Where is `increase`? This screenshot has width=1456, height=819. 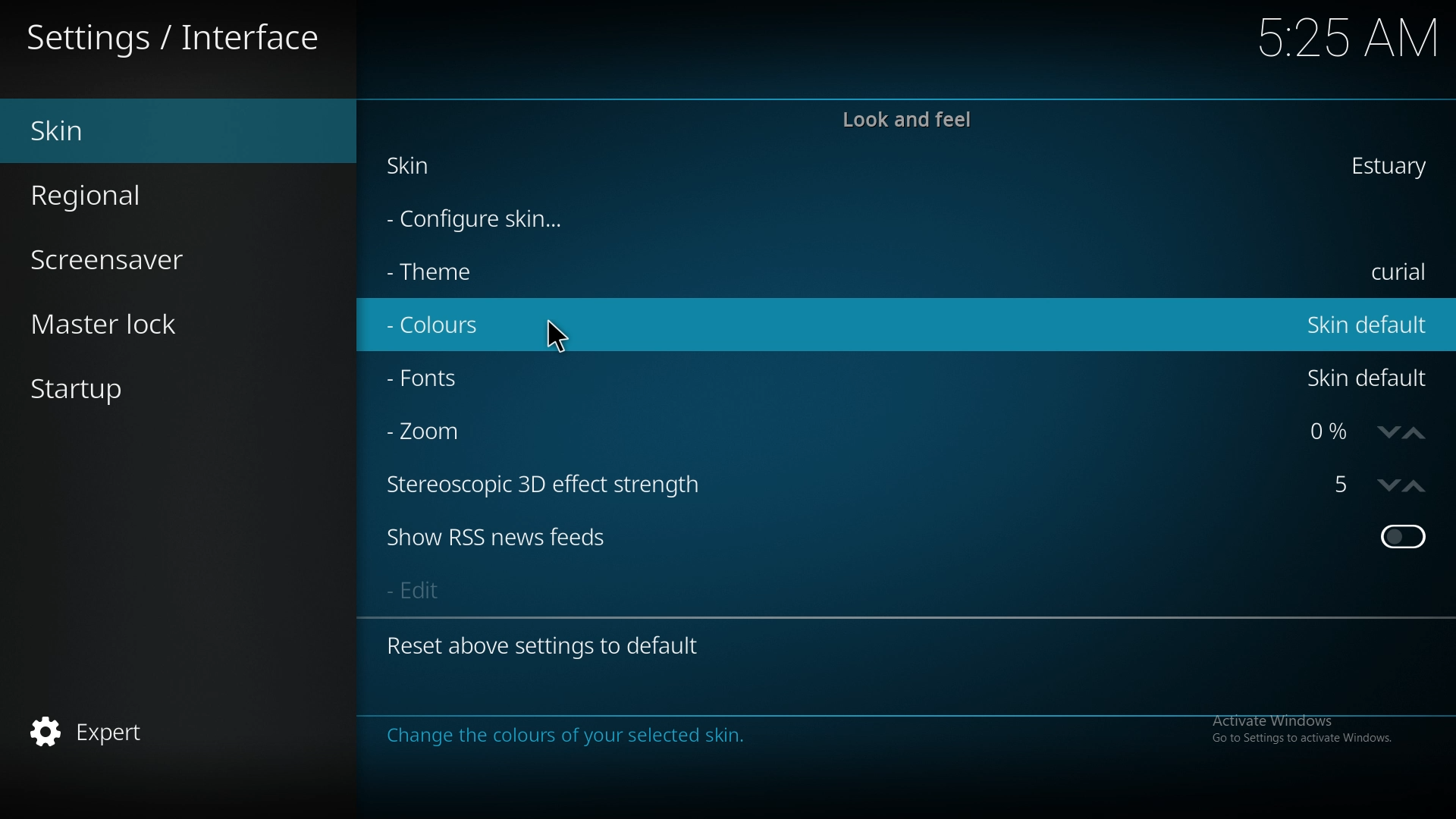
increase is located at coordinates (1416, 488).